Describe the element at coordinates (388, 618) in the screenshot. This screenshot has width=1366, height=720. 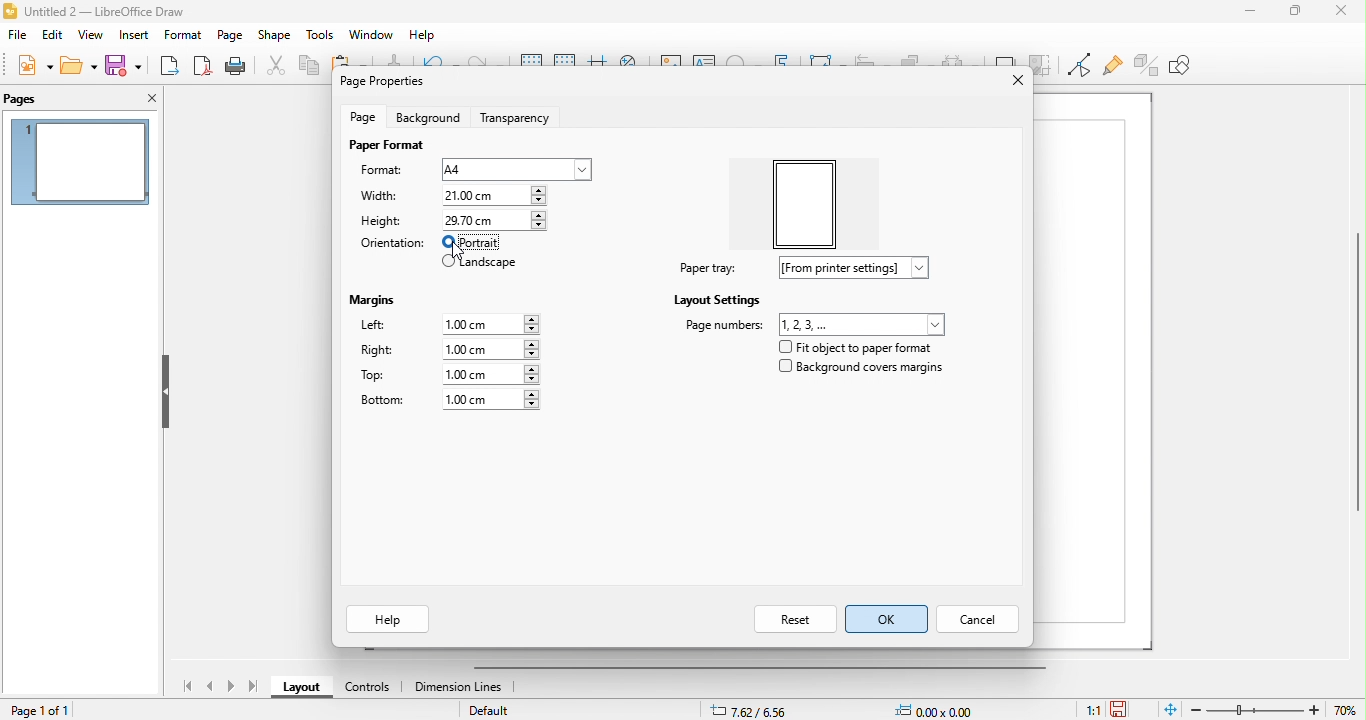
I see `help` at that location.